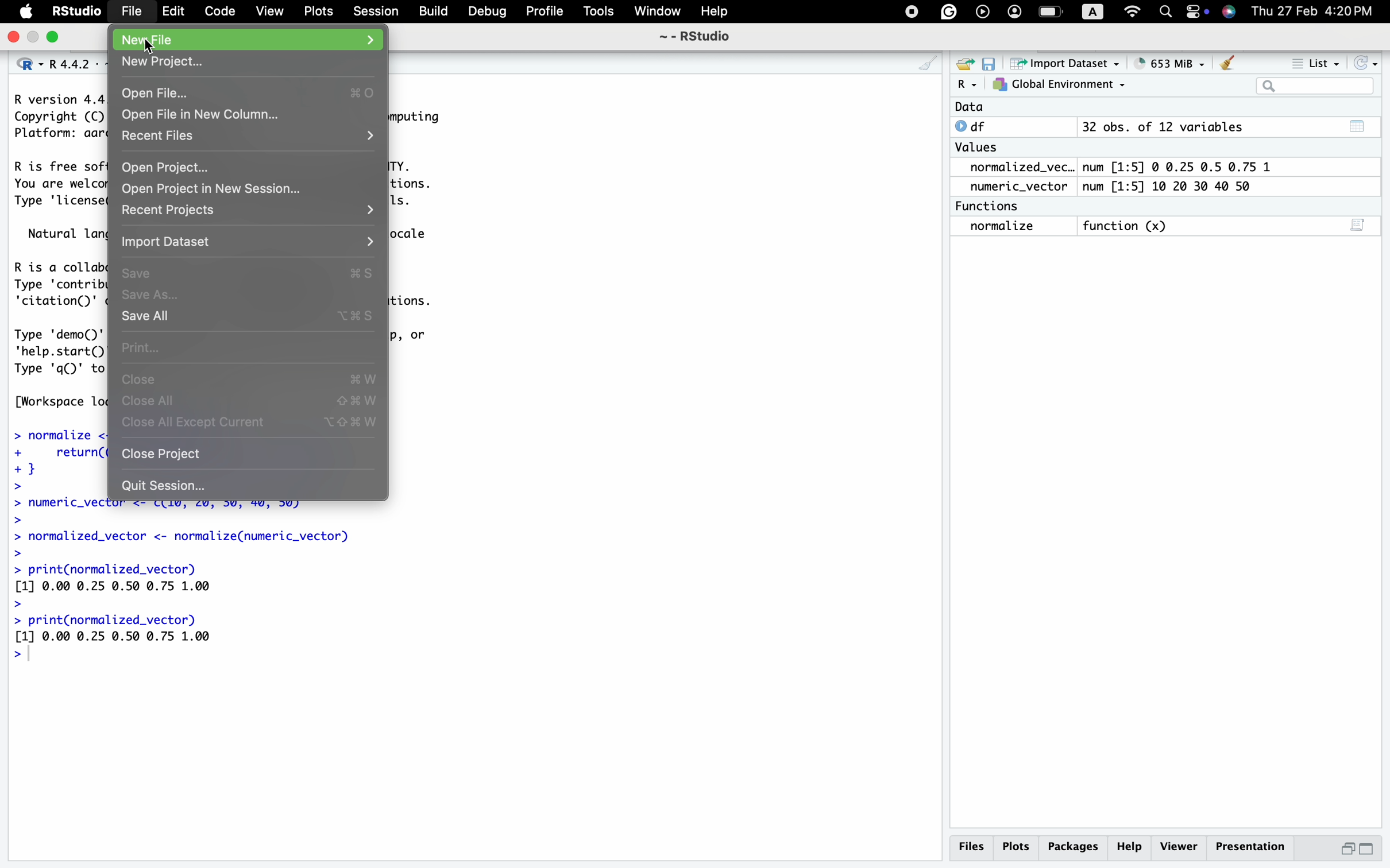 This screenshot has width=1390, height=868. Describe the element at coordinates (167, 65) in the screenshot. I see `New Project` at that location.